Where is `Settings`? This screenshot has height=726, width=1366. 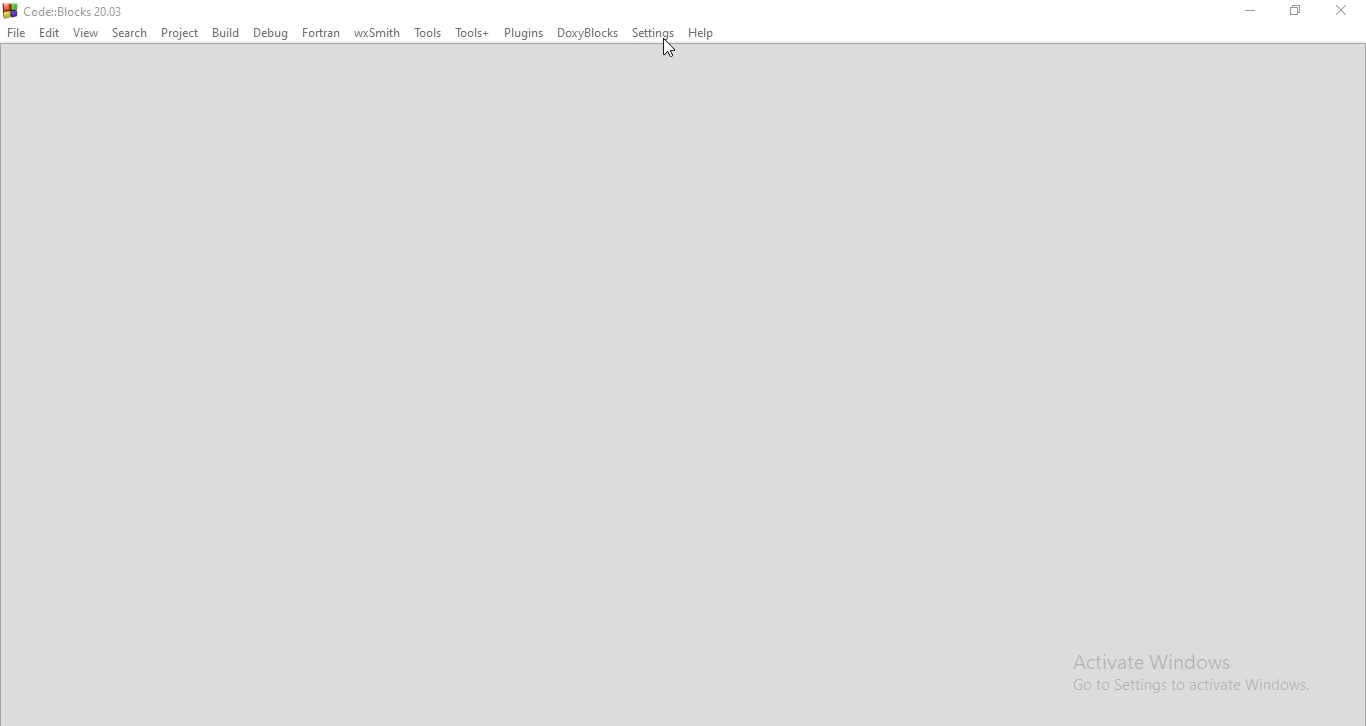
Settings is located at coordinates (653, 32).